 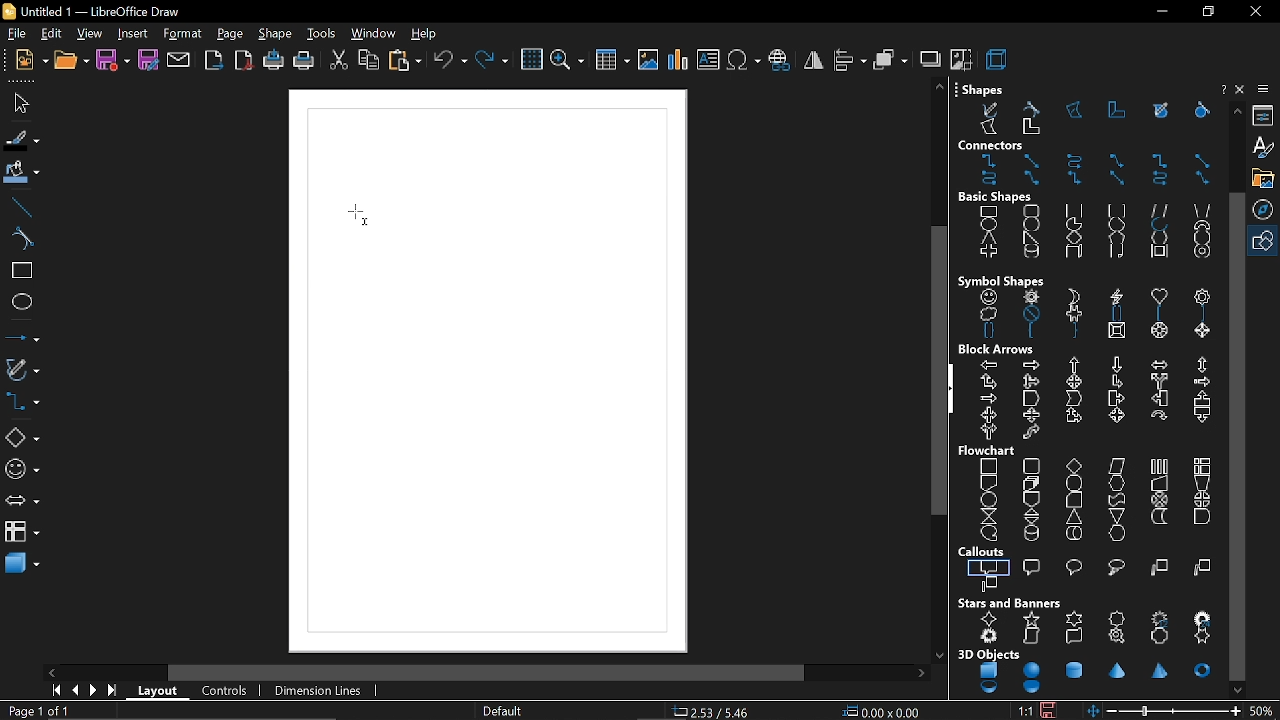 What do you see at coordinates (1200, 365) in the screenshot?
I see `up  and down arrow` at bounding box center [1200, 365].